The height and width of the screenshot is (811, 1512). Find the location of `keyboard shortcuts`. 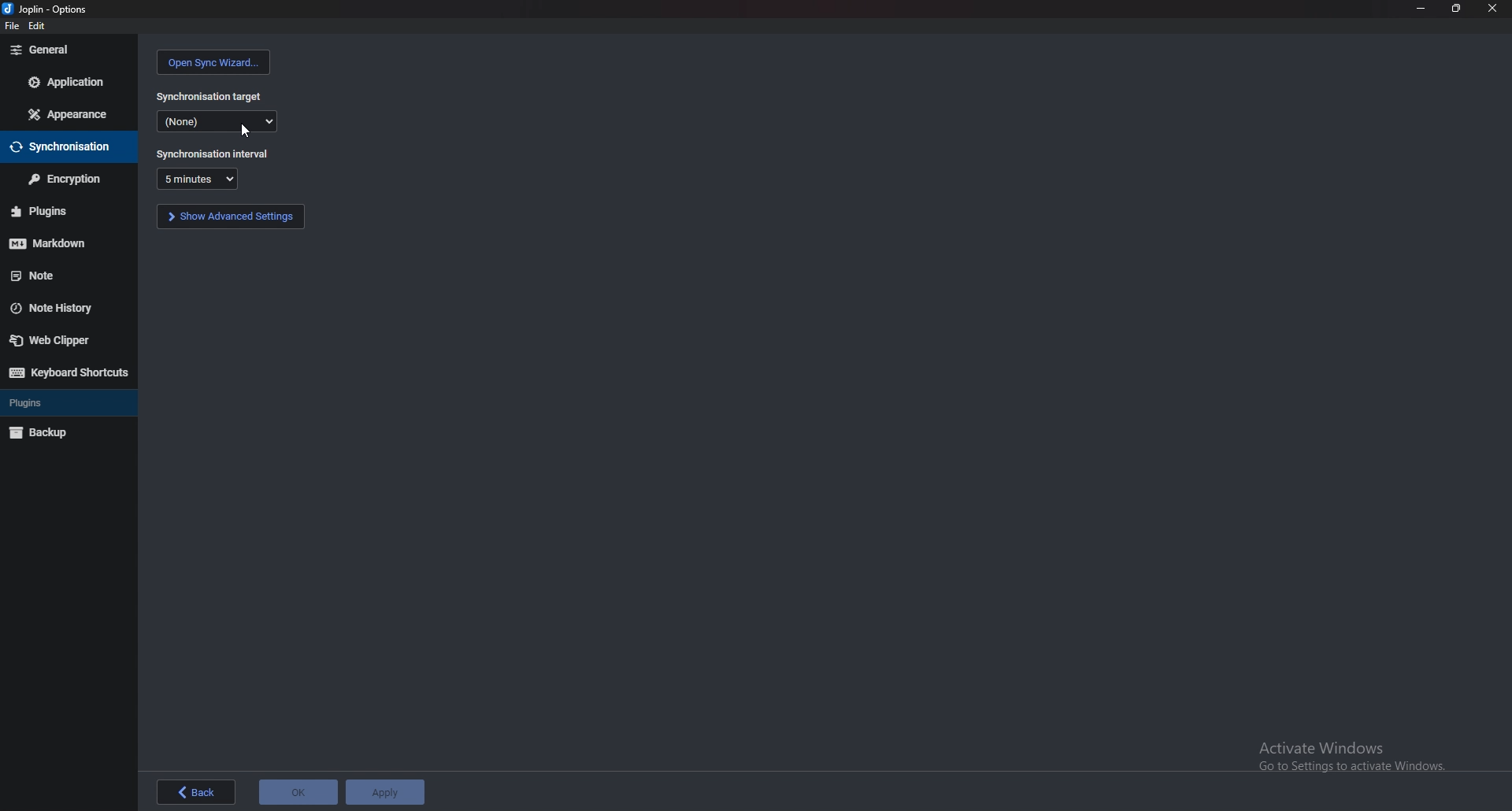

keyboard shortcuts is located at coordinates (69, 372).